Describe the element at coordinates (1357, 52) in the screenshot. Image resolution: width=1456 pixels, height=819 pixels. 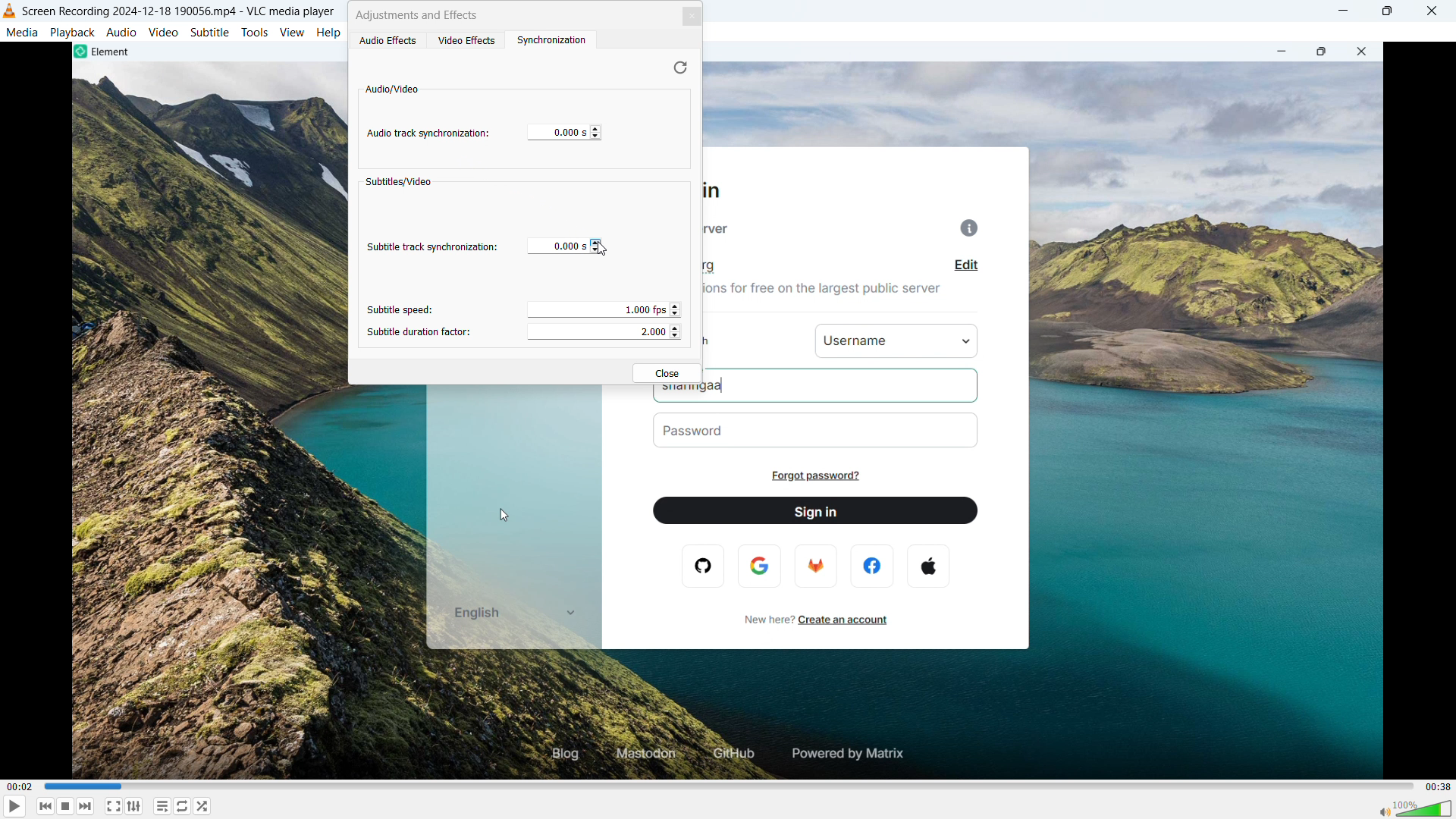
I see `close` at that location.